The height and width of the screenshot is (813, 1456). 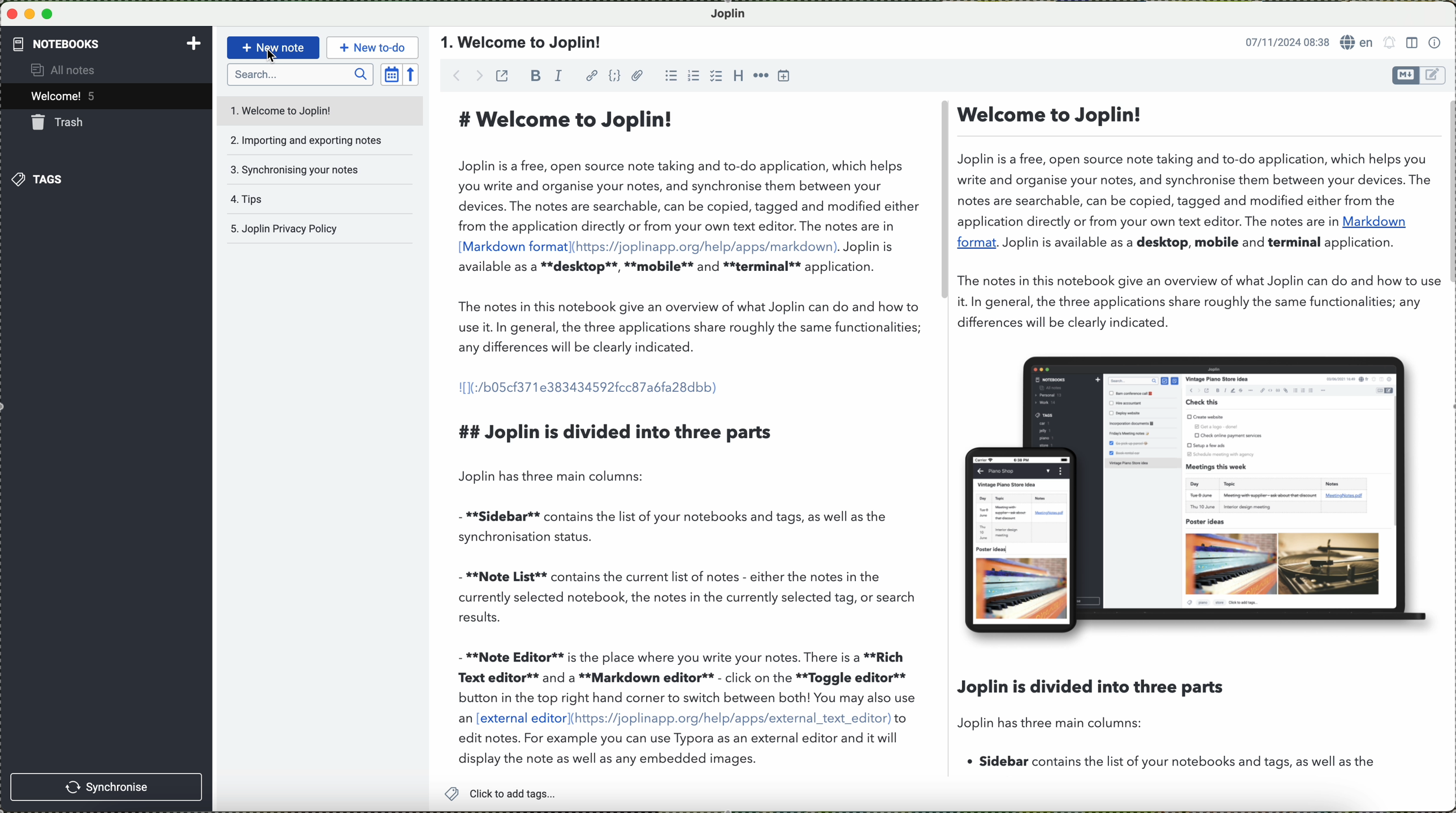 I want to click on synchronise button, so click(x=108, y=786).